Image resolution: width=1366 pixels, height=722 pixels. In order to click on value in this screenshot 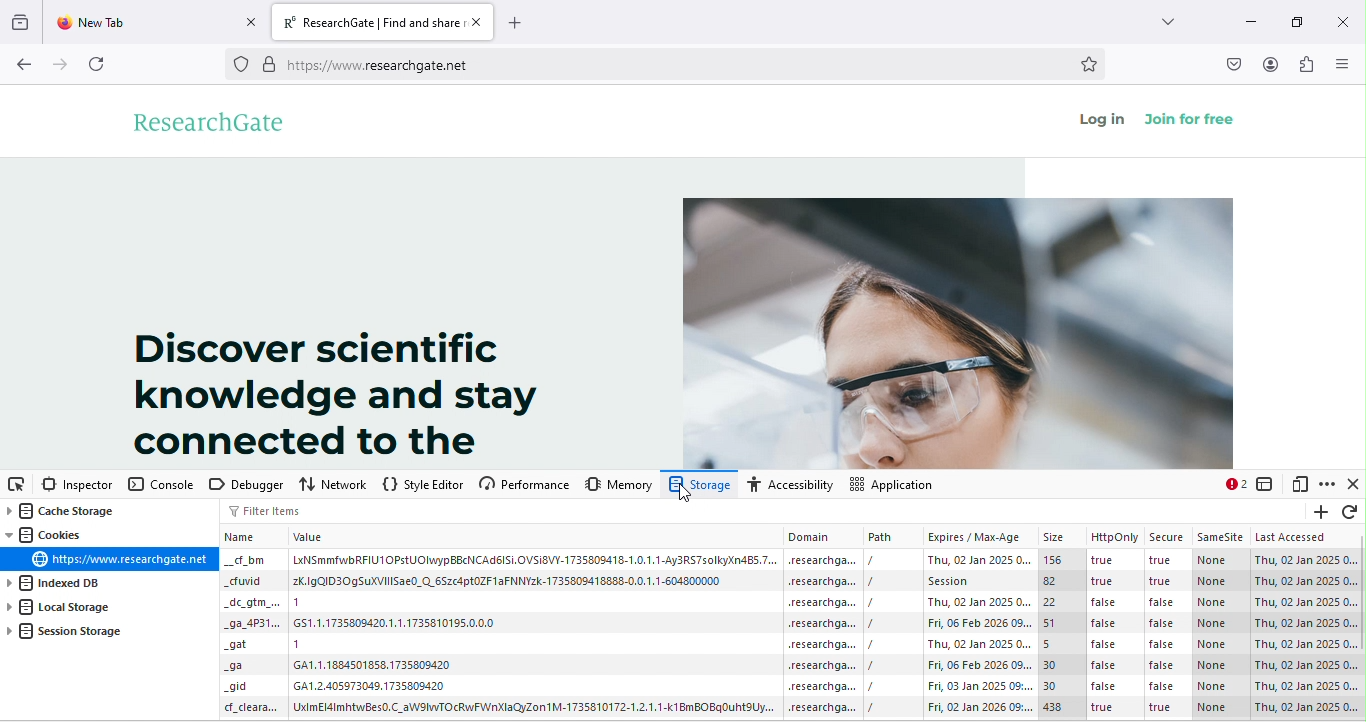, I will do `click(312, 537)`.